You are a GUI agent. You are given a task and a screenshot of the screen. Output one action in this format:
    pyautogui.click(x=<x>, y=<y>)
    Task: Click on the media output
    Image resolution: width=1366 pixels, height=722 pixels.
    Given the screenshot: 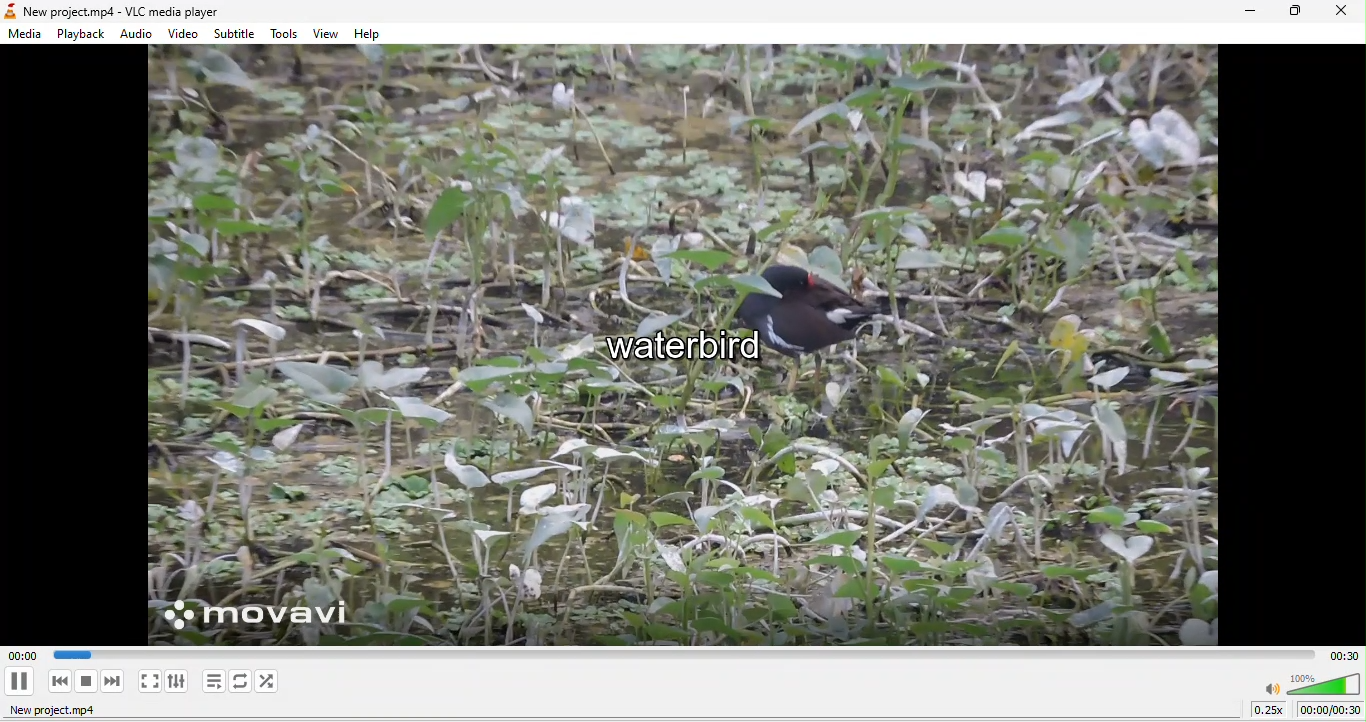 What is the action you would take?
    pyautogui.click(x=676, y=346)
    